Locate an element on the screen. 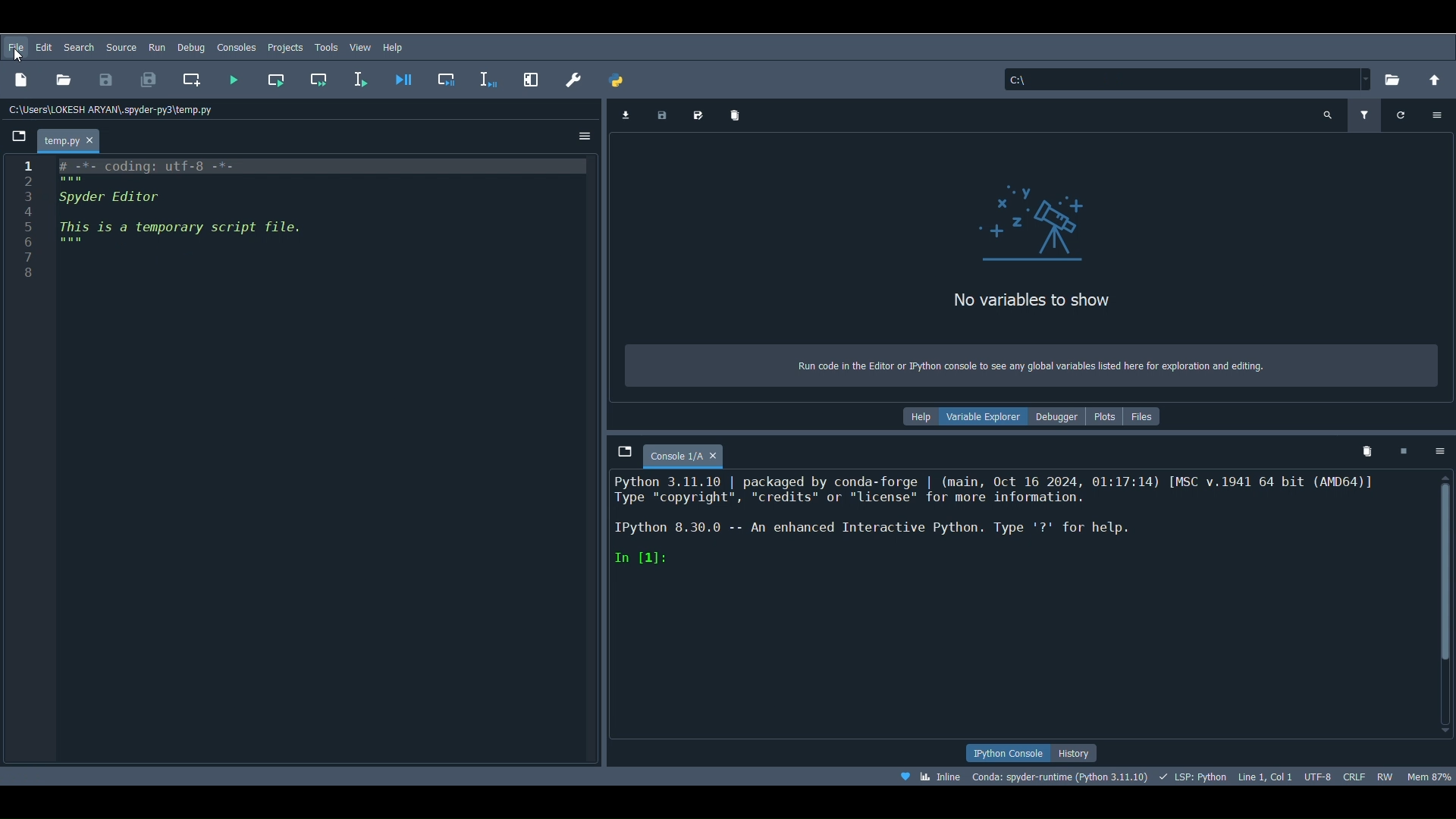 This screenshot has height=819, width=1456. Help is located at coordinates (918, 418).